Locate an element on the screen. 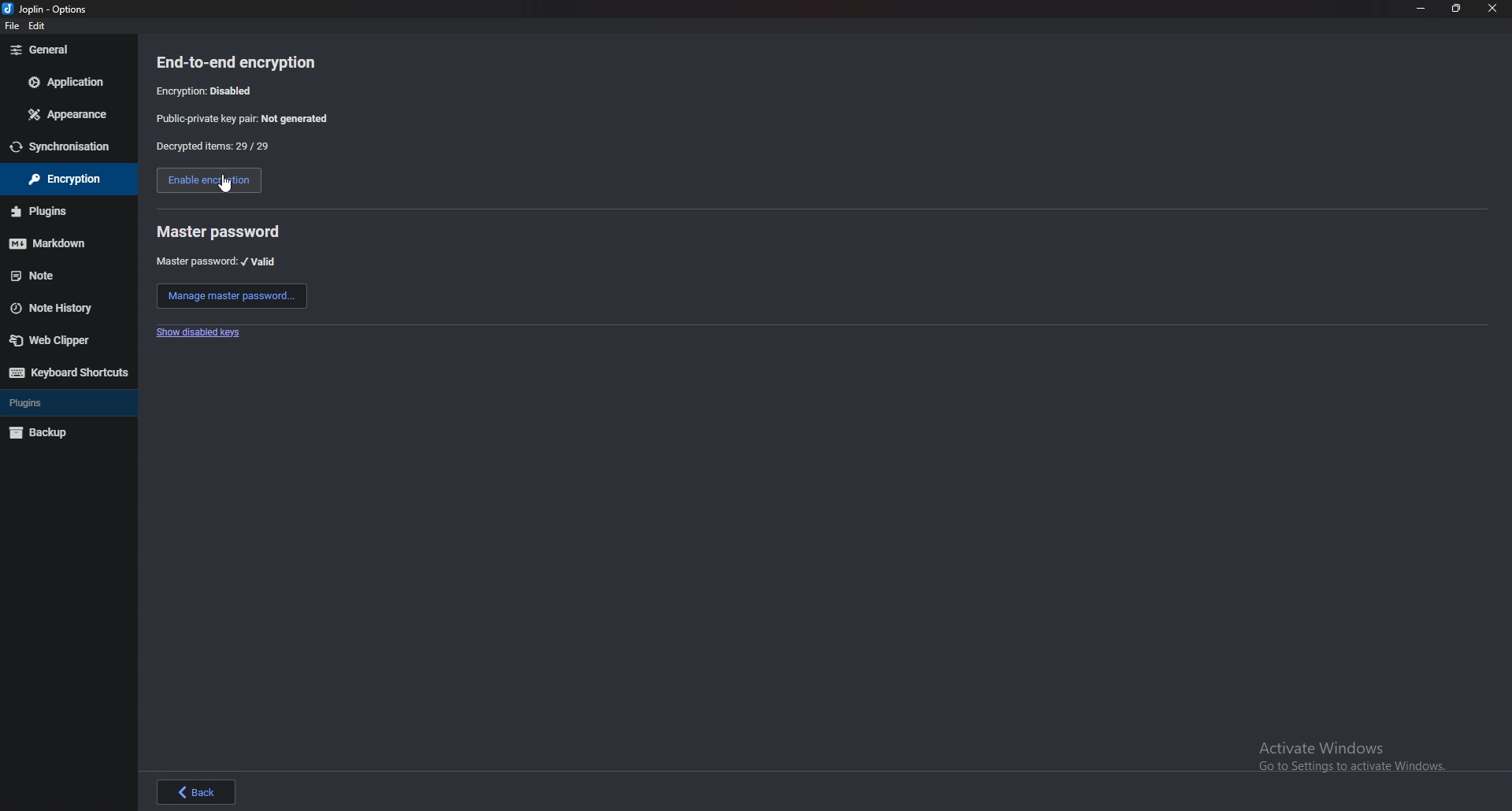 The height and width of the screenshot is (811, 1512).  is located at coordinates (46, 246).